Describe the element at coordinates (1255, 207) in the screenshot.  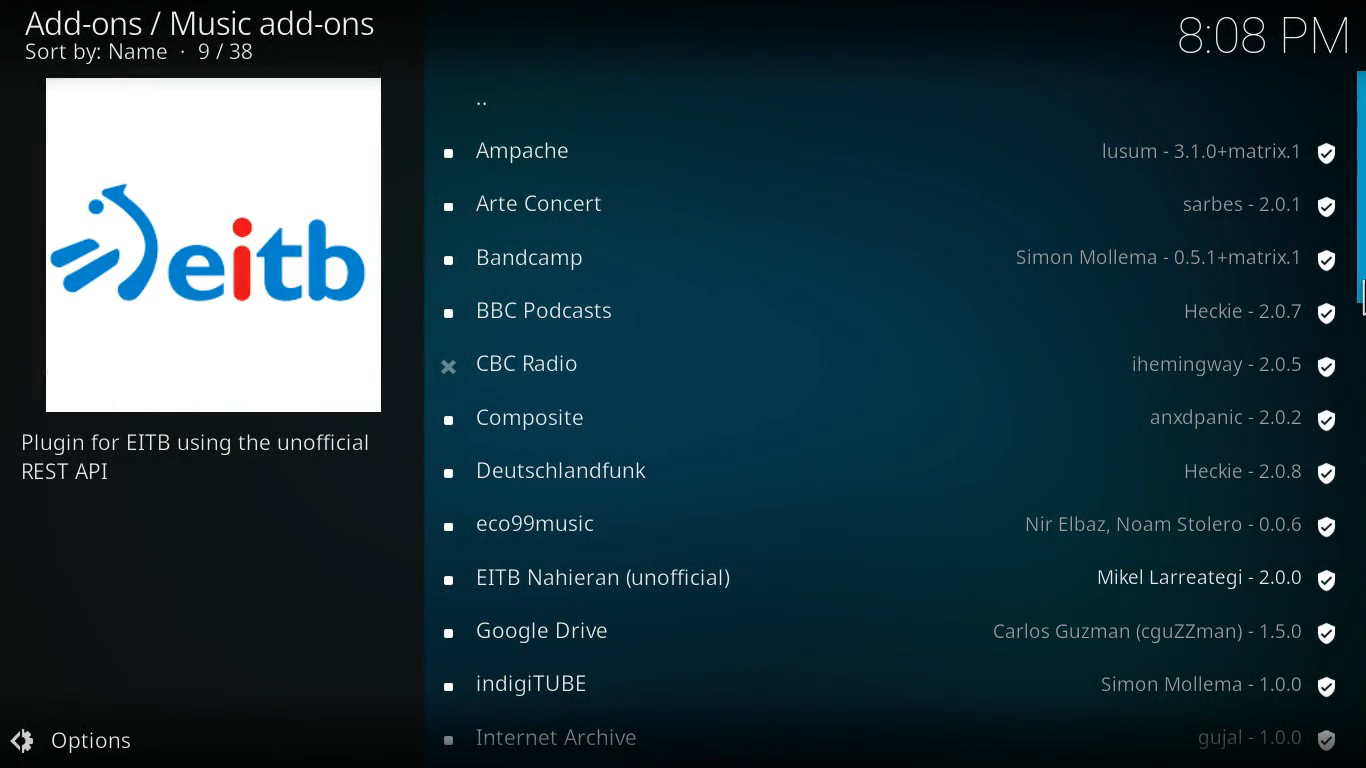
I see `provide` at that location.